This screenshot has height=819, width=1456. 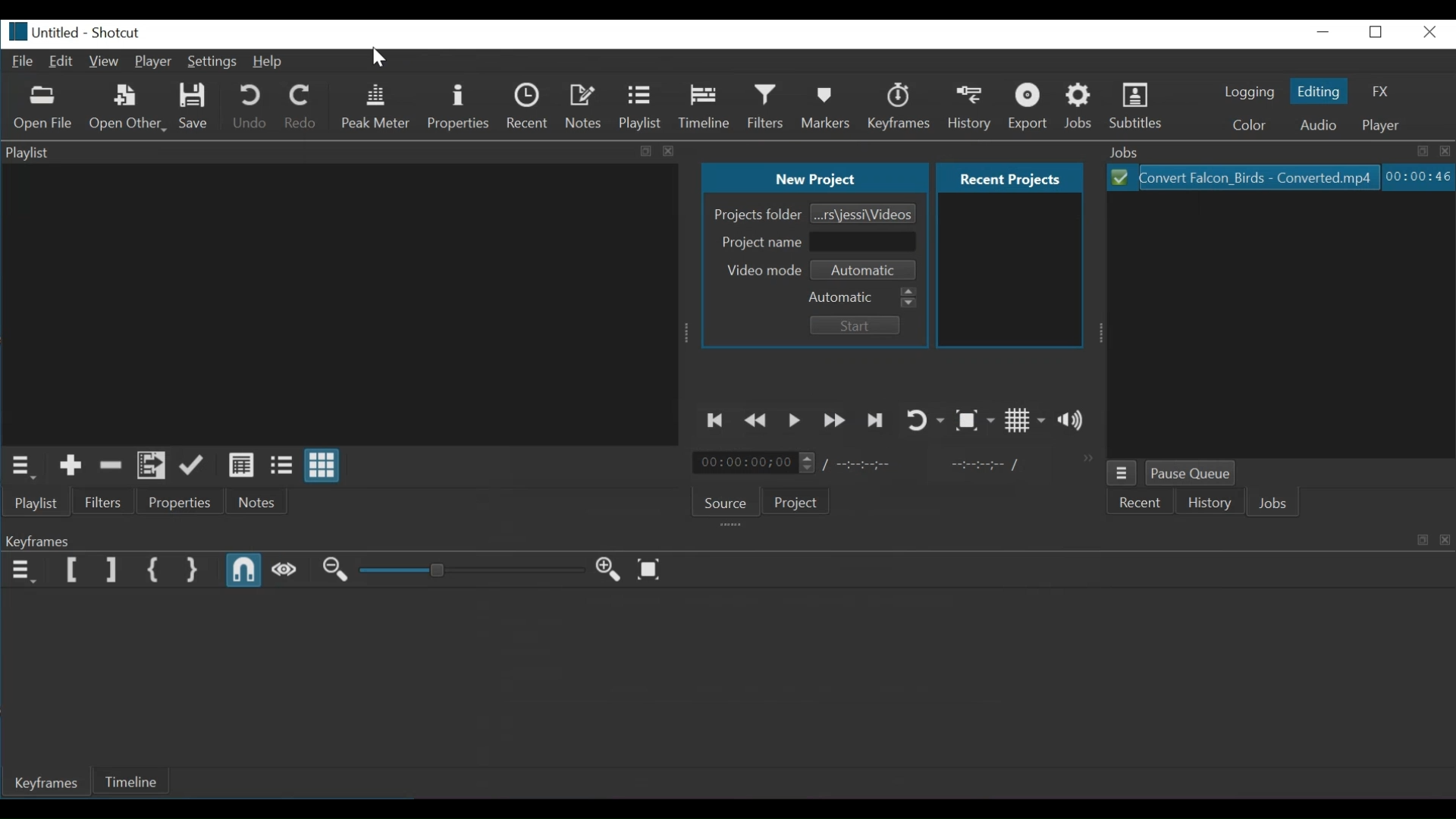 I want to click on Timeline, so click(x=133, y=781).